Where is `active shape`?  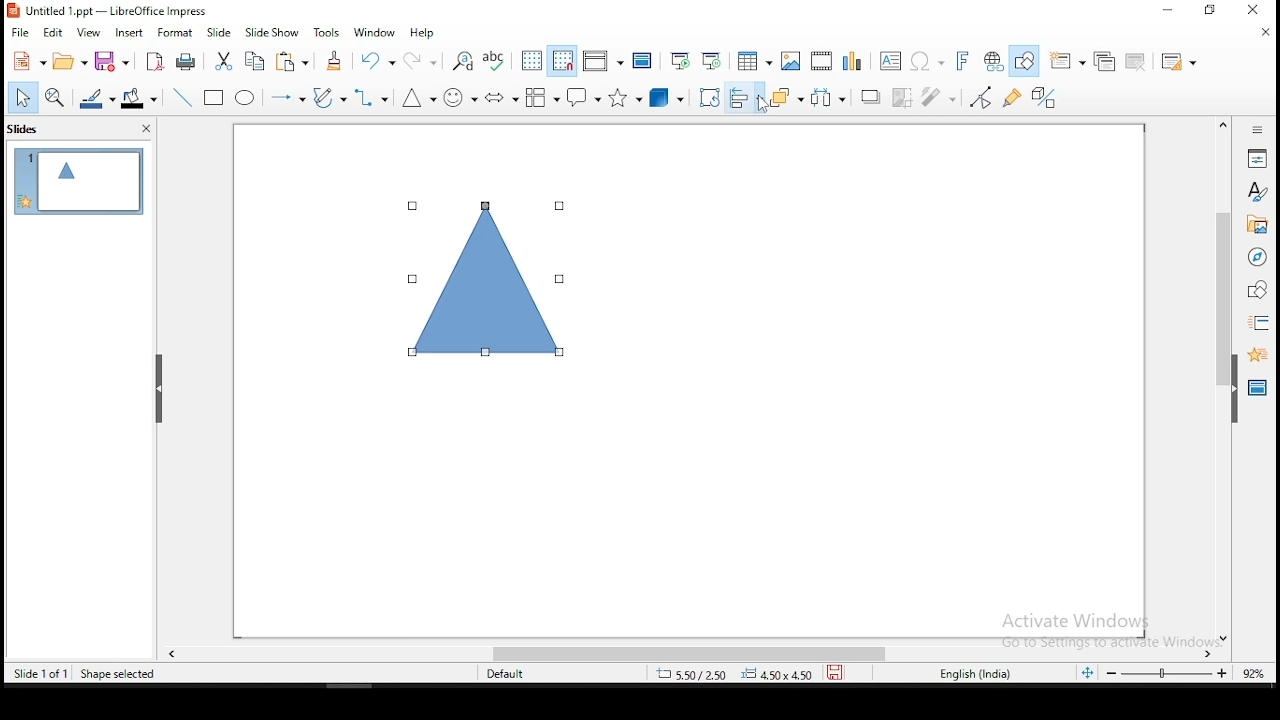
active shape is located at coordinates (484, 281).